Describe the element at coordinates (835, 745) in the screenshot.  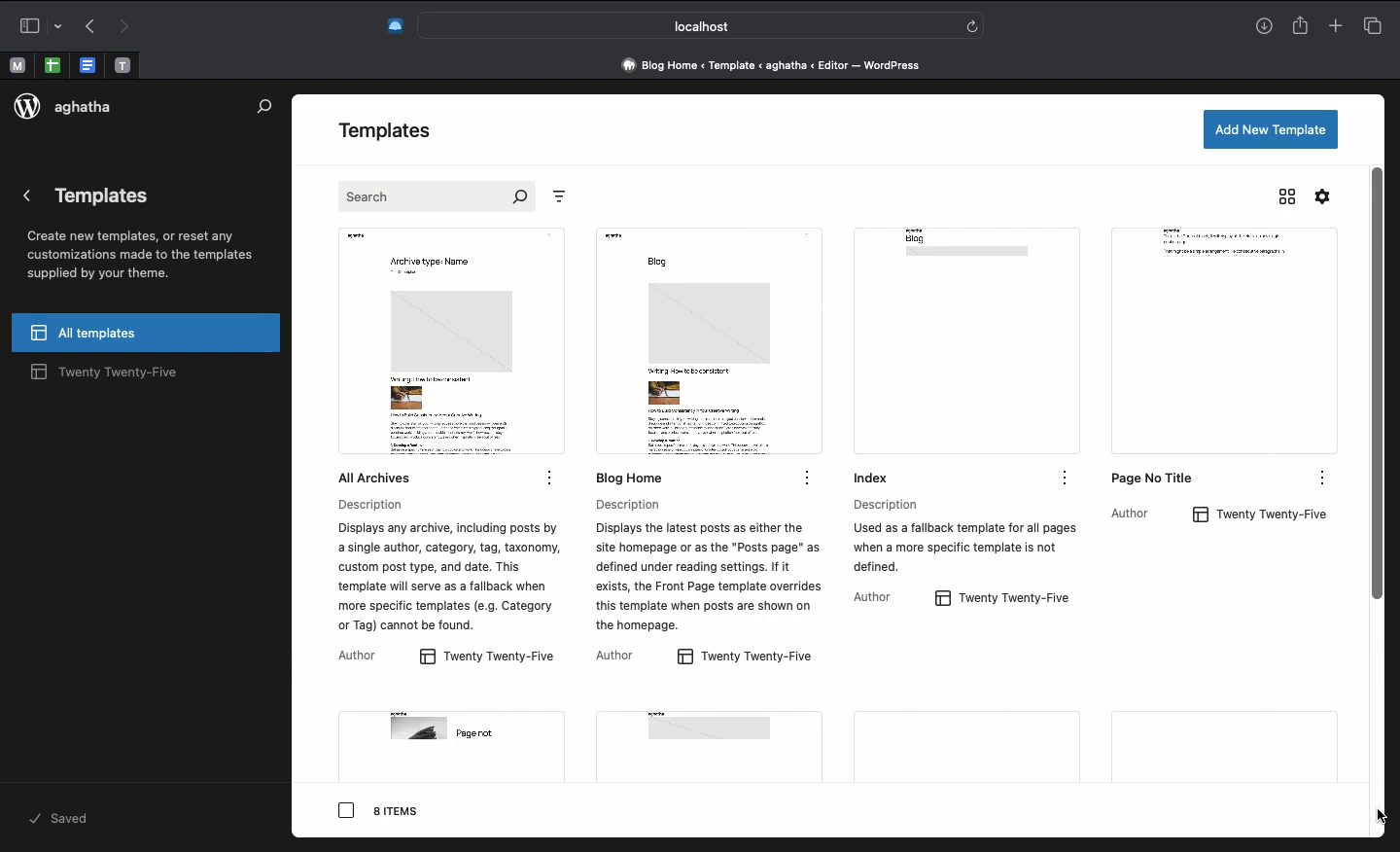
I see `More pages` at that location.